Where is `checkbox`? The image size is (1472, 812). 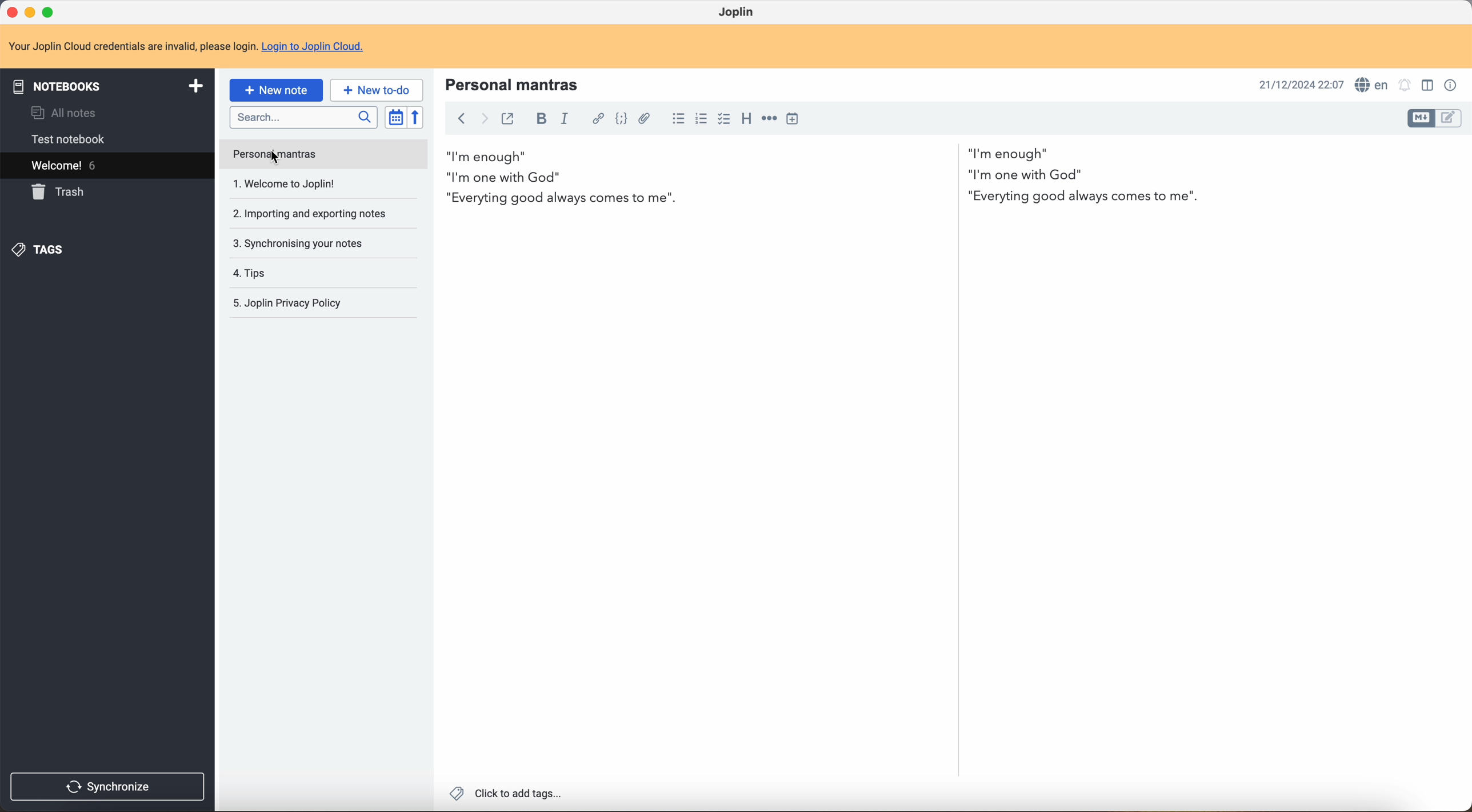
checkbox is located at coordinates (725, 119).